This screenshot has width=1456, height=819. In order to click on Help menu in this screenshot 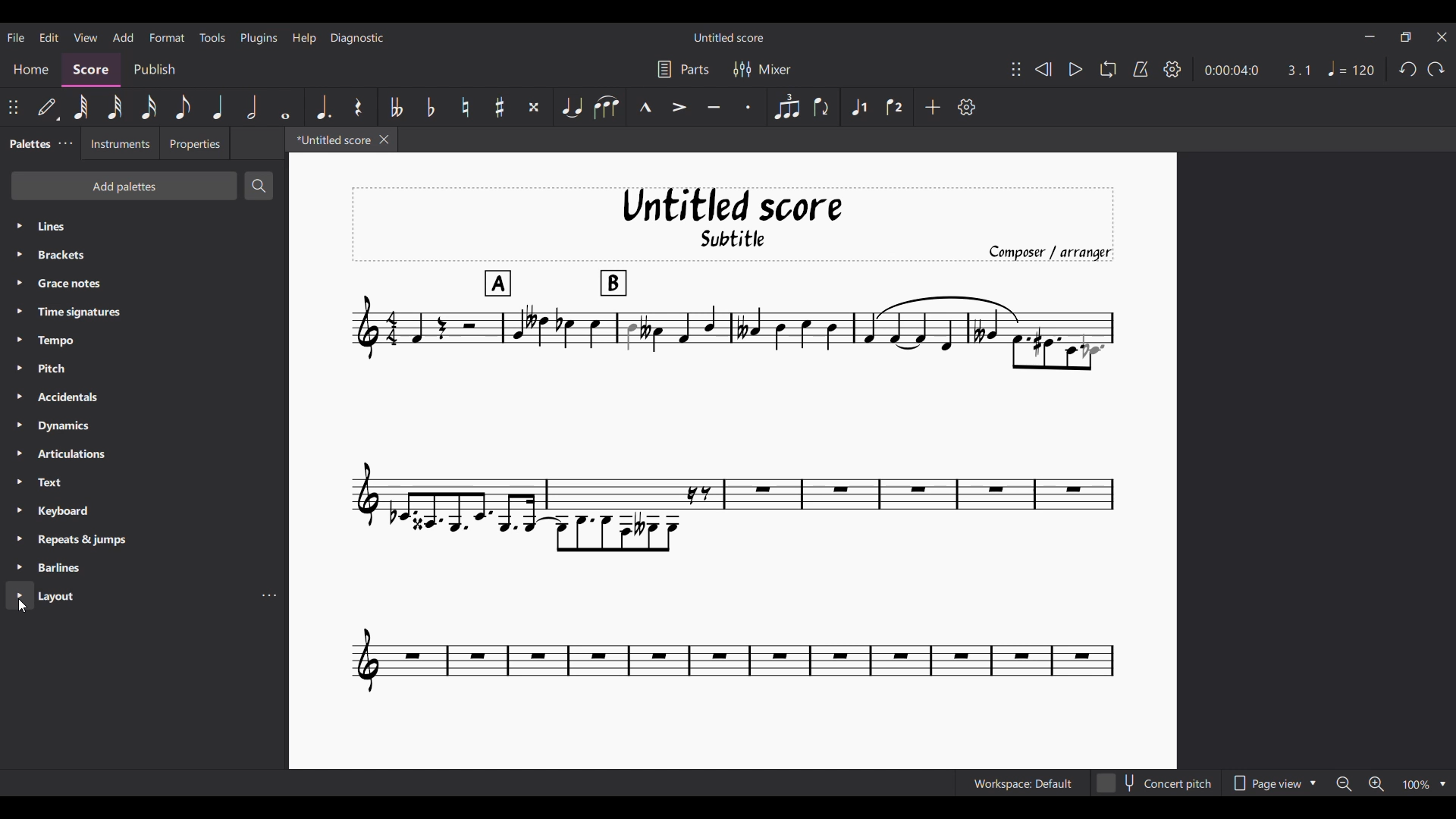, I will do `click(304, 38)`.